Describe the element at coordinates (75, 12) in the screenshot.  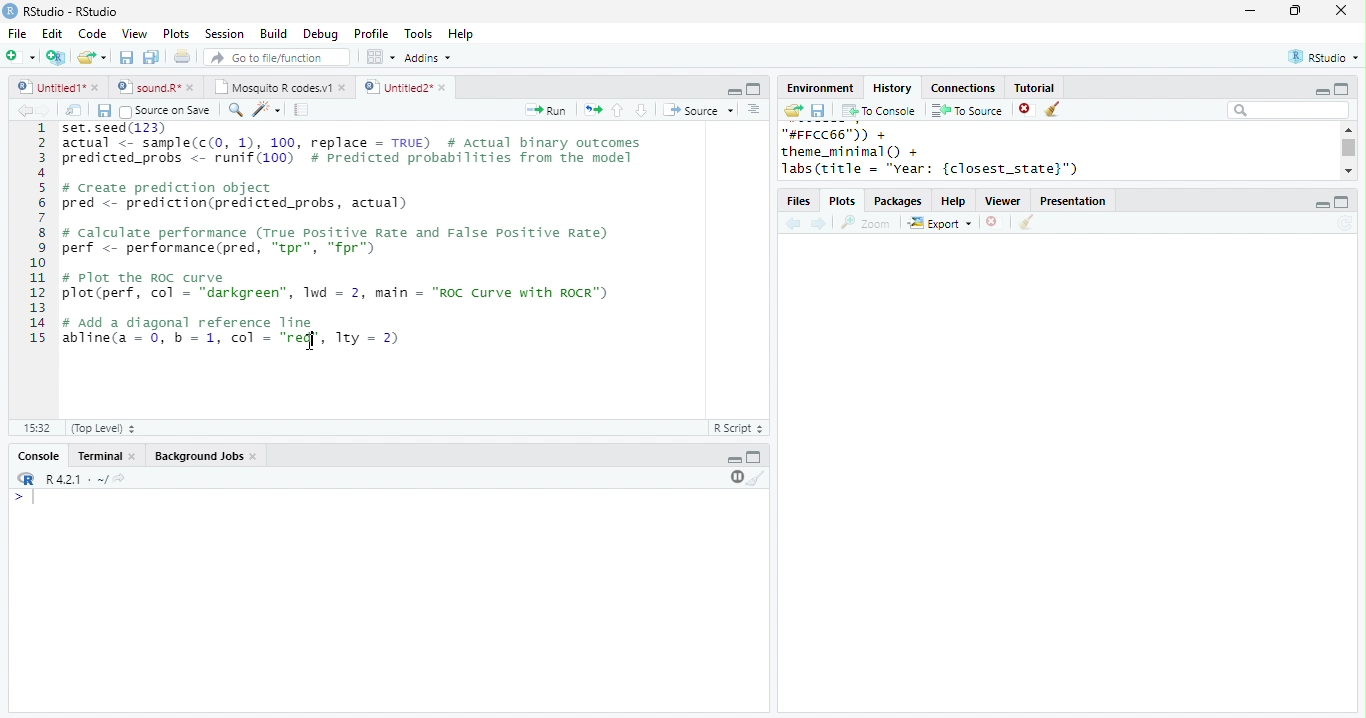
I see `RStudio-RStudio` at that location.